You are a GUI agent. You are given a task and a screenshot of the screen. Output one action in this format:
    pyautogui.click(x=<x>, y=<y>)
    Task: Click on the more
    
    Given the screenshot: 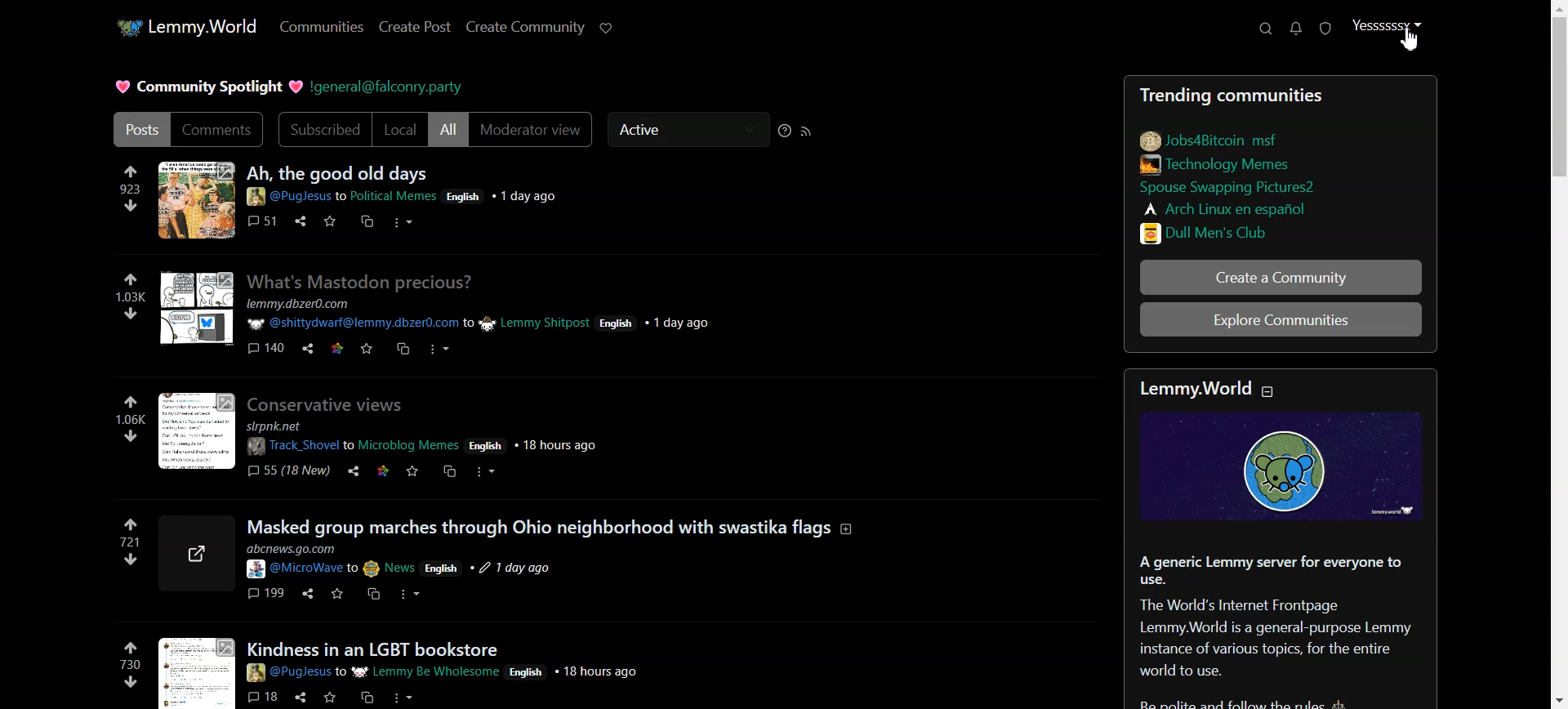 What is the action you would take?
    pyautogui.click(x=436, y=347)
    